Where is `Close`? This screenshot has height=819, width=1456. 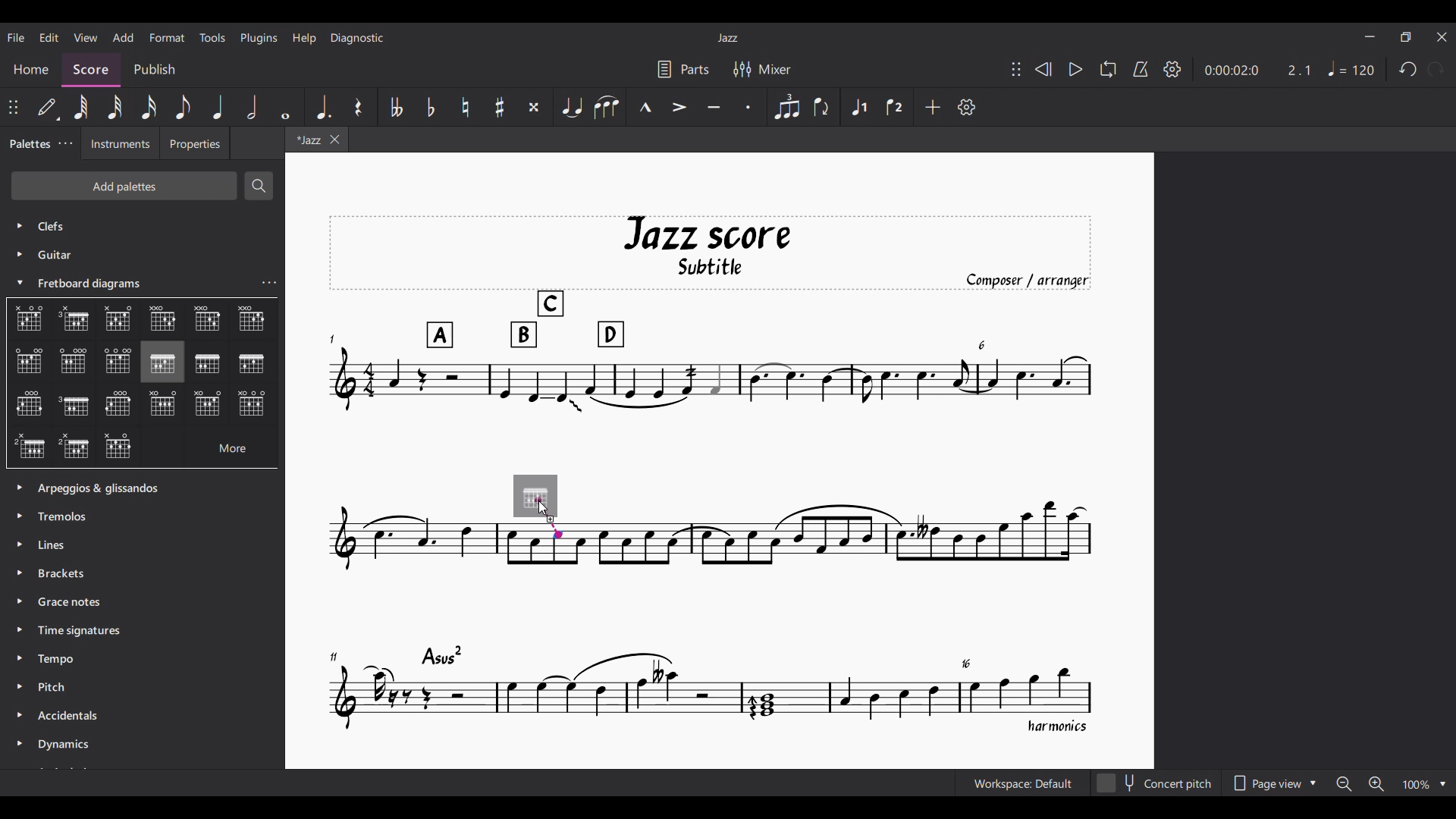 Close is located at coordinates (1443, 37).